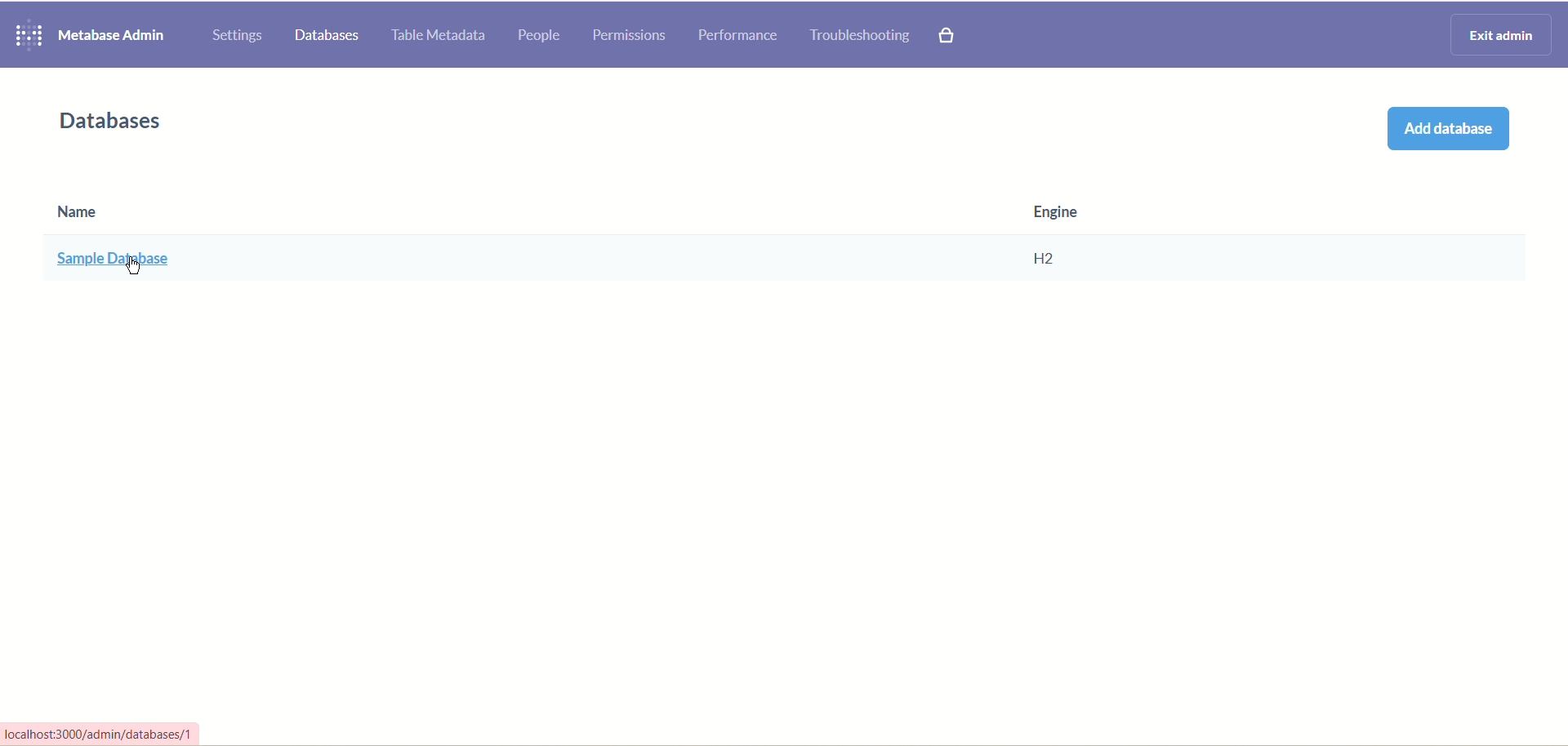  I want to click on metabase admin, so click(114, 35).